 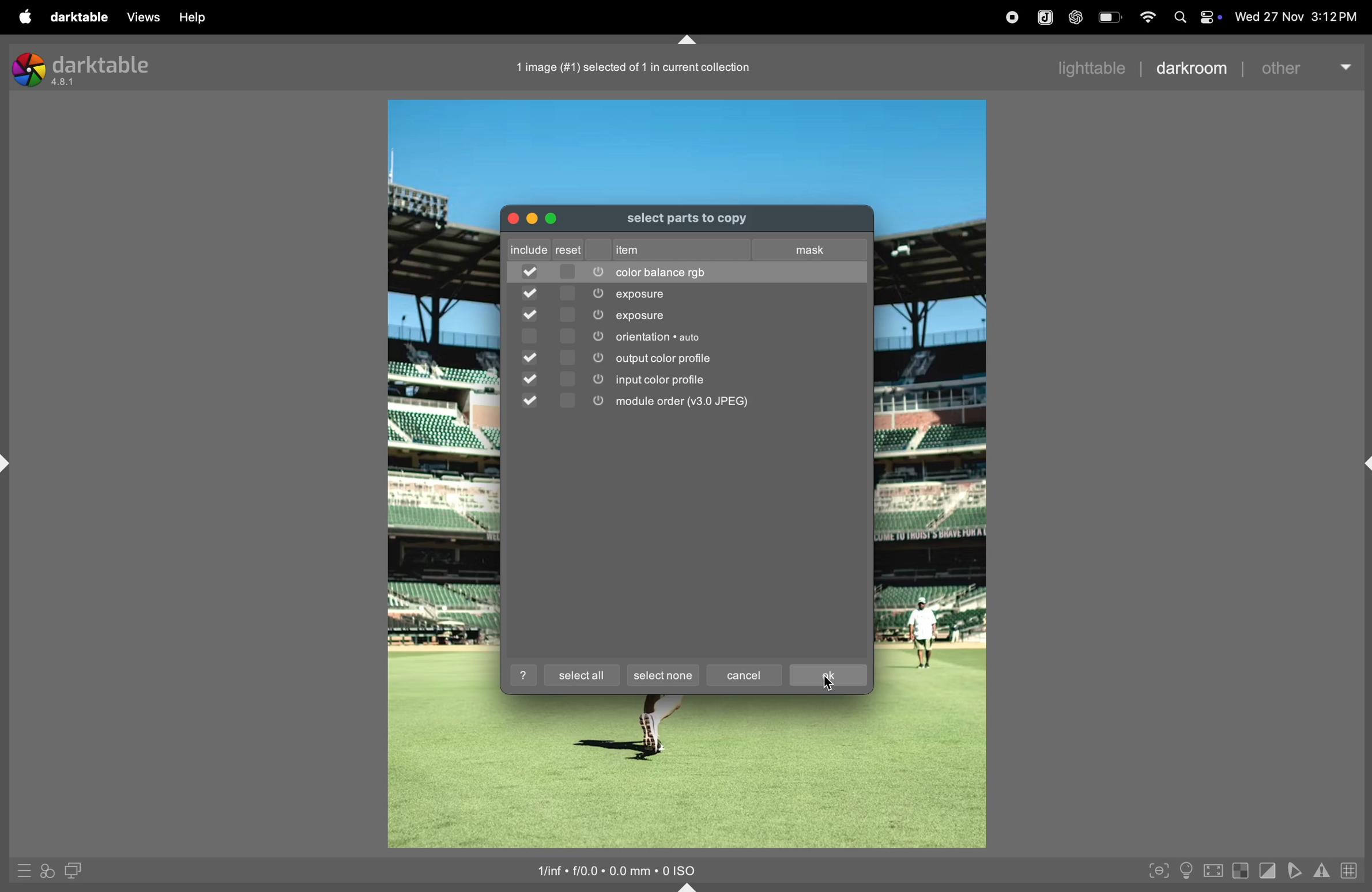 I want to click on grid, so click(x=1352, y=870).